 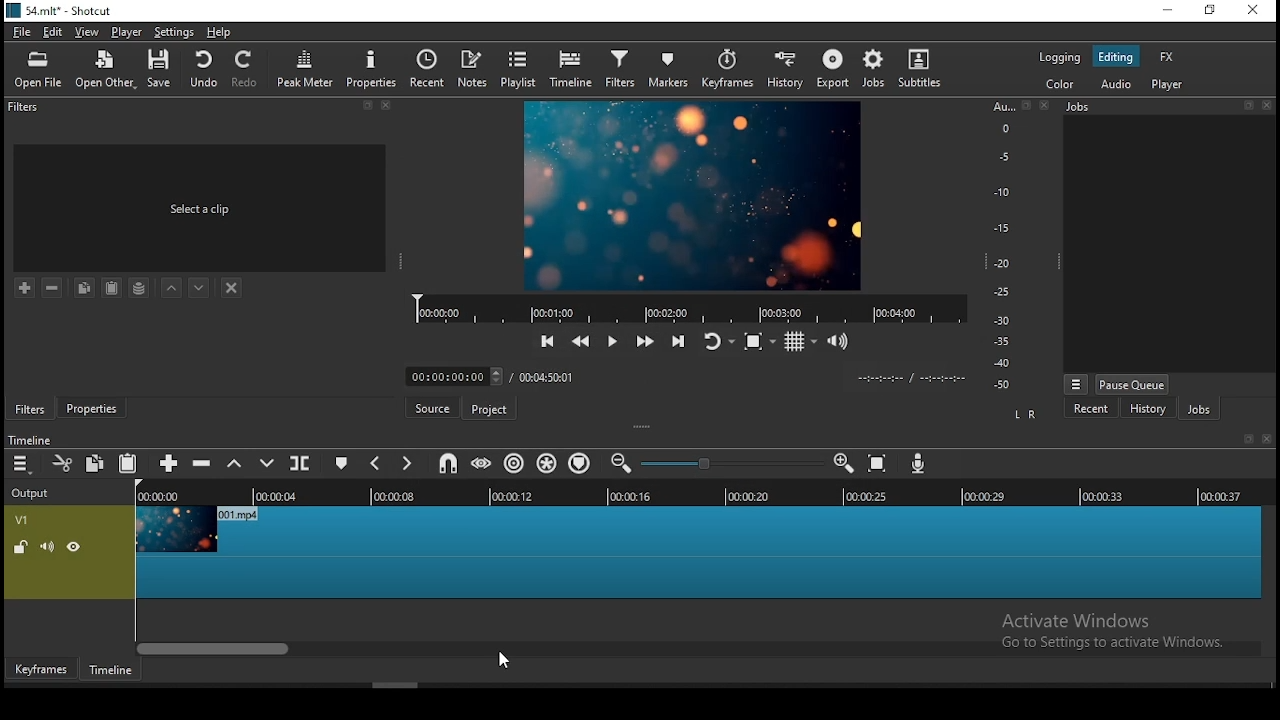 I want to click on 00:00:16, so click(x=631, y=496).